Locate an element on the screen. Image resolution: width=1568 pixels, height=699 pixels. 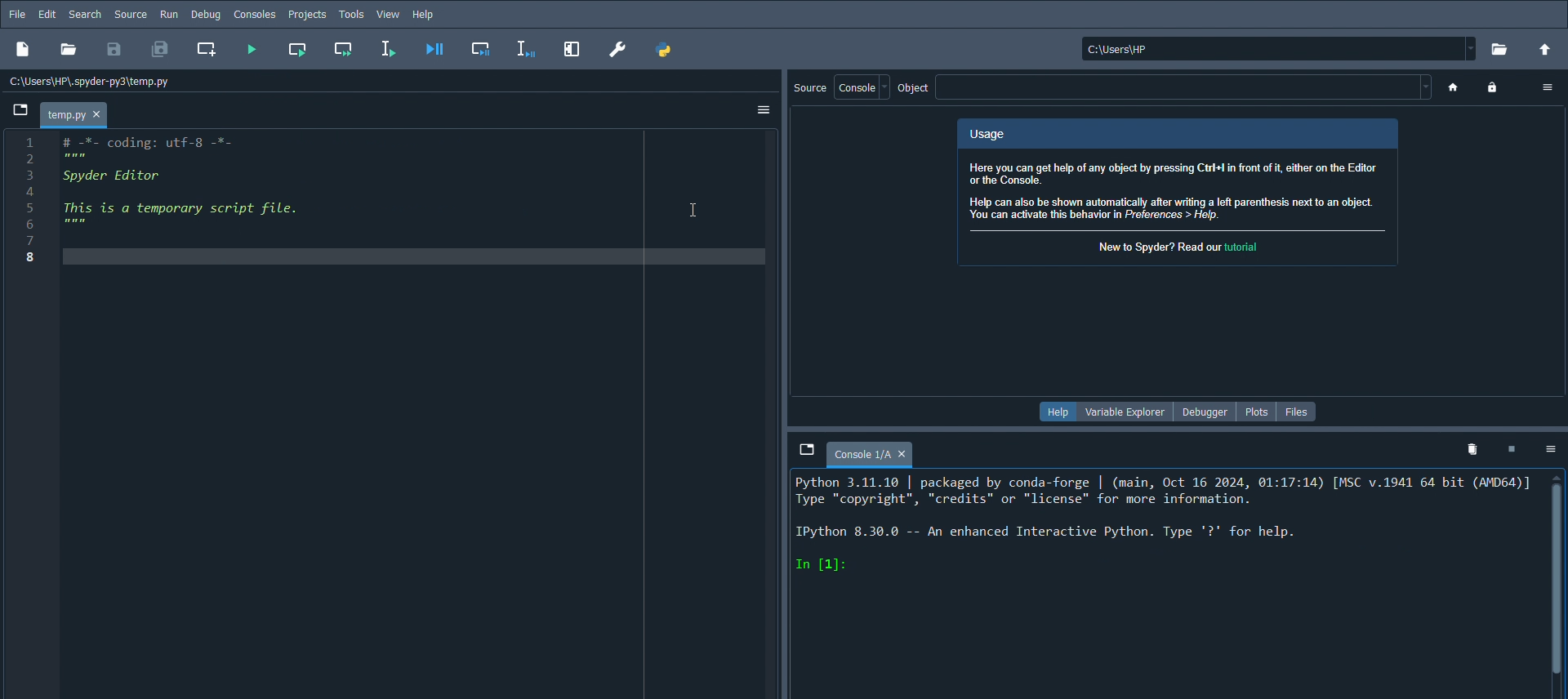
Help is located at coordinates (427, 15).